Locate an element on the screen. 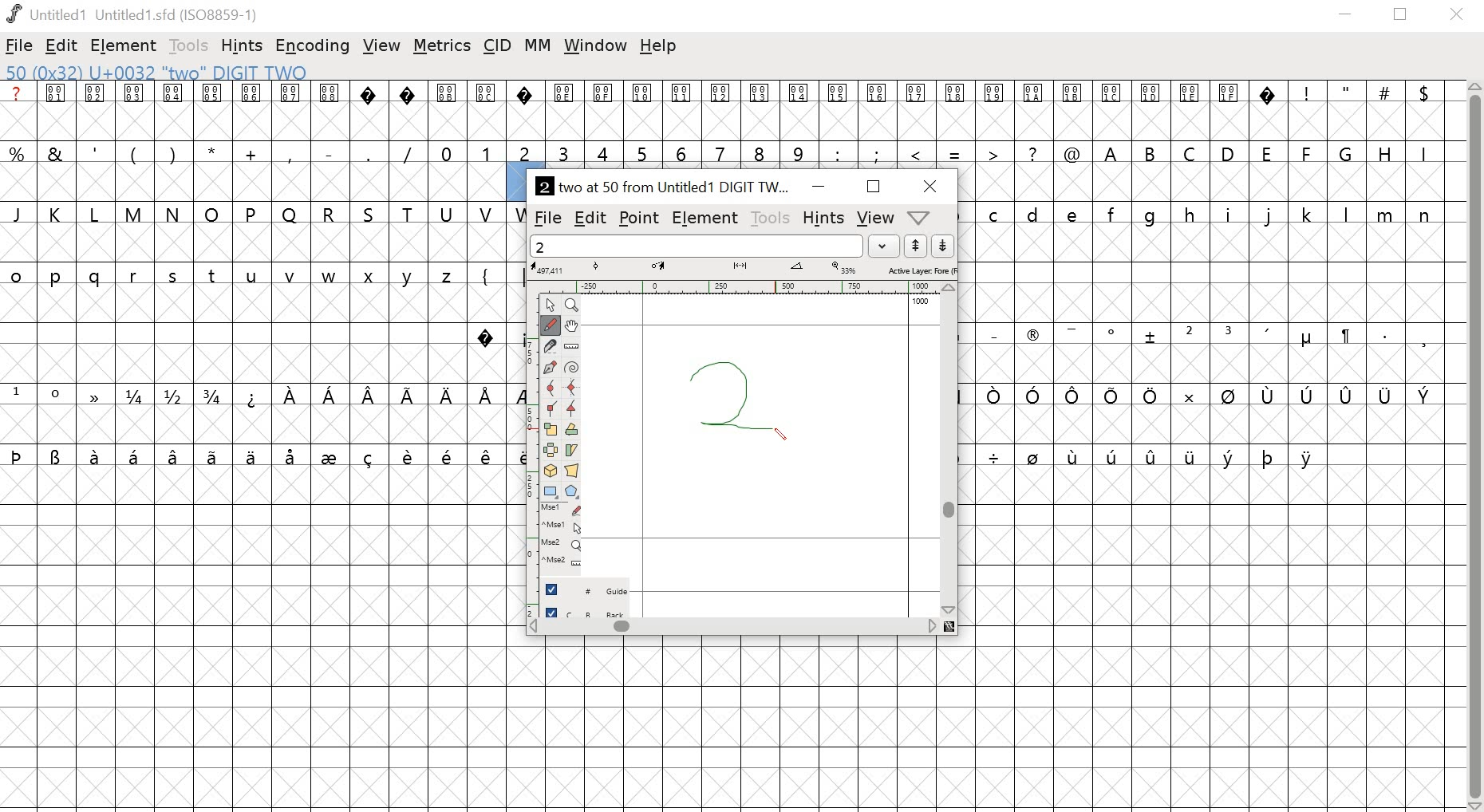  polygon/star is located at coordinates (574, 492).